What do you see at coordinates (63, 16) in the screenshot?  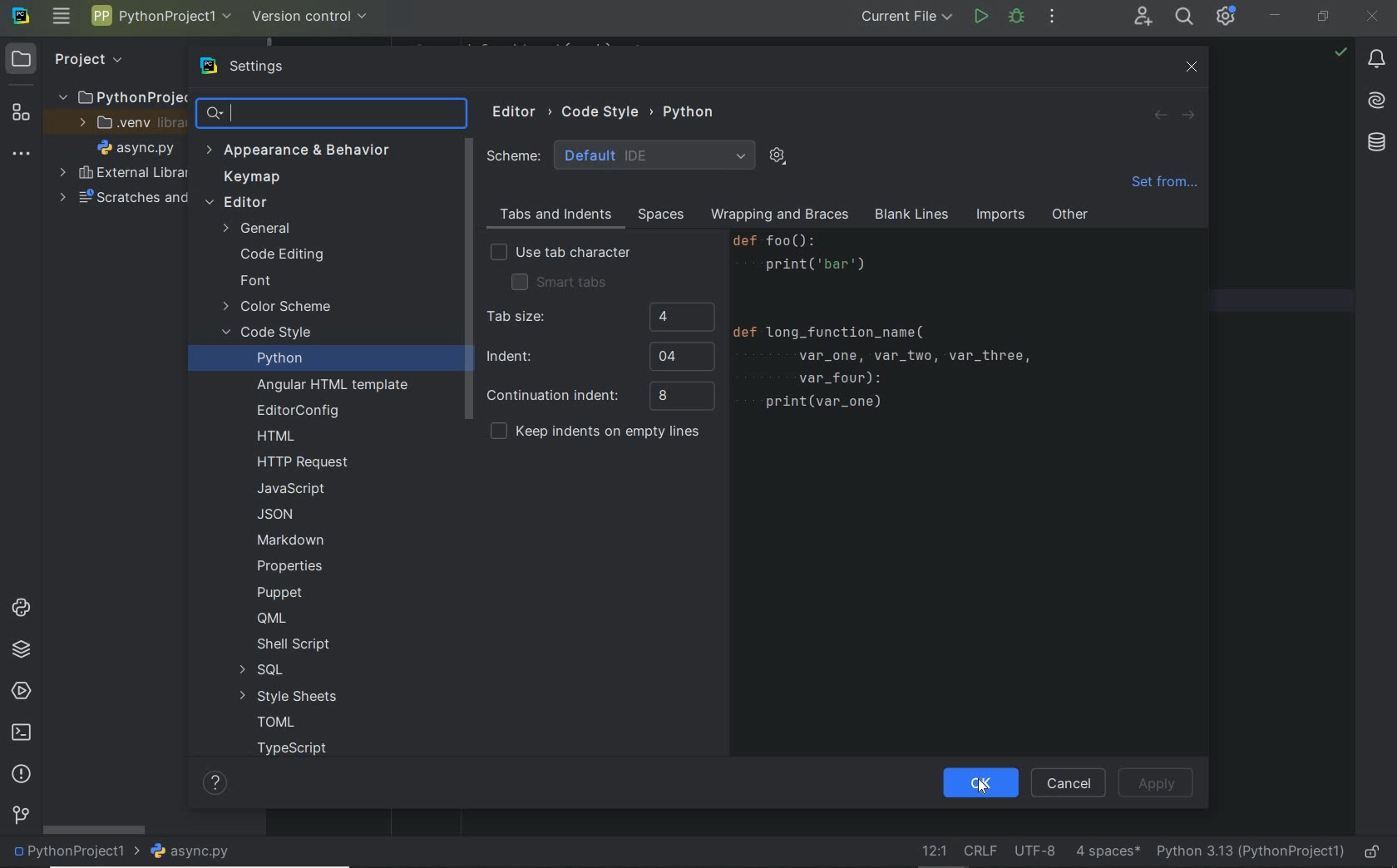 I see `main menu` at bounding box center [63, 16].